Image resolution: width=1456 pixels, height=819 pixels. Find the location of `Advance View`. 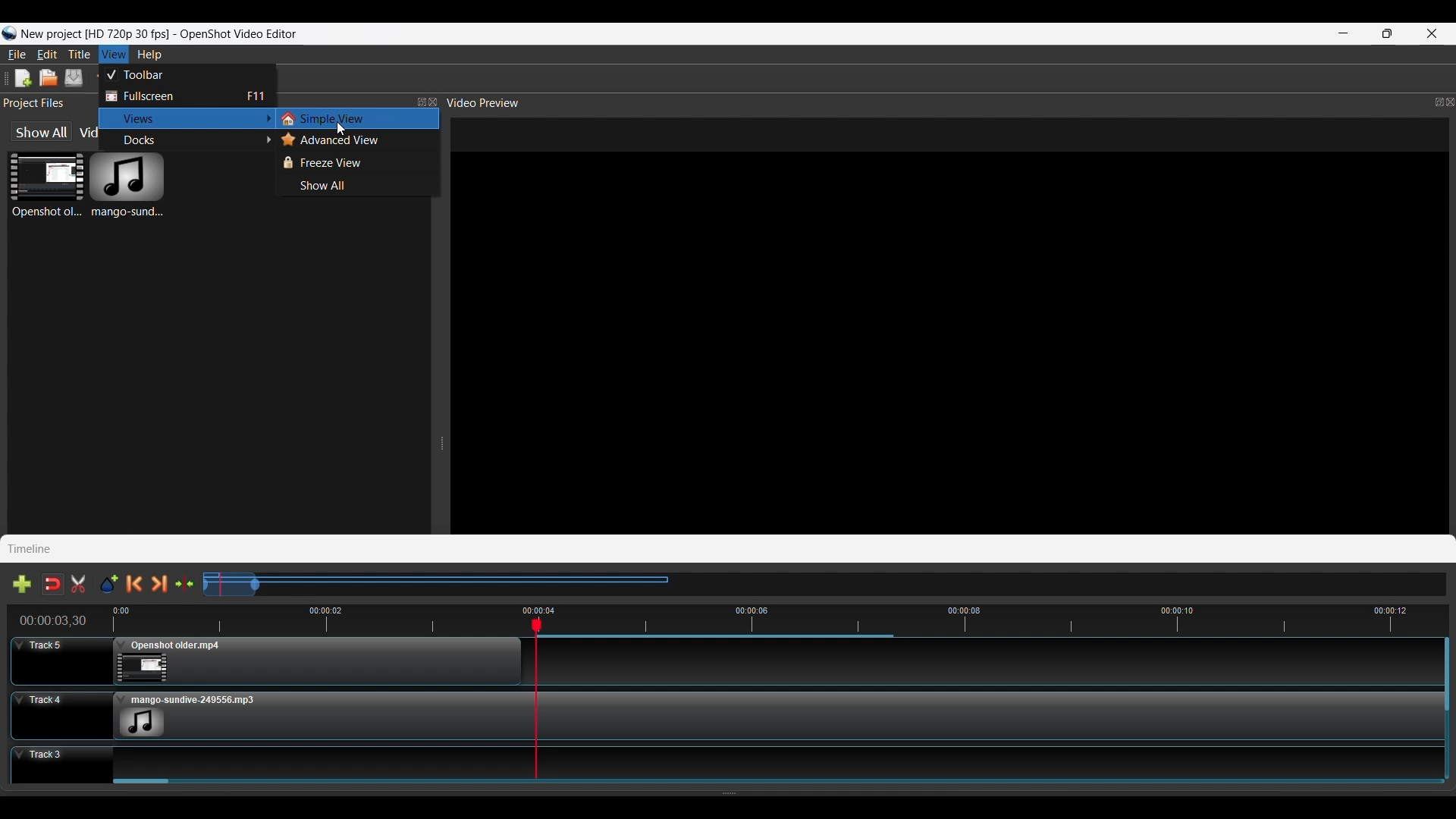

Advance View is located at coordinates (353, 140).